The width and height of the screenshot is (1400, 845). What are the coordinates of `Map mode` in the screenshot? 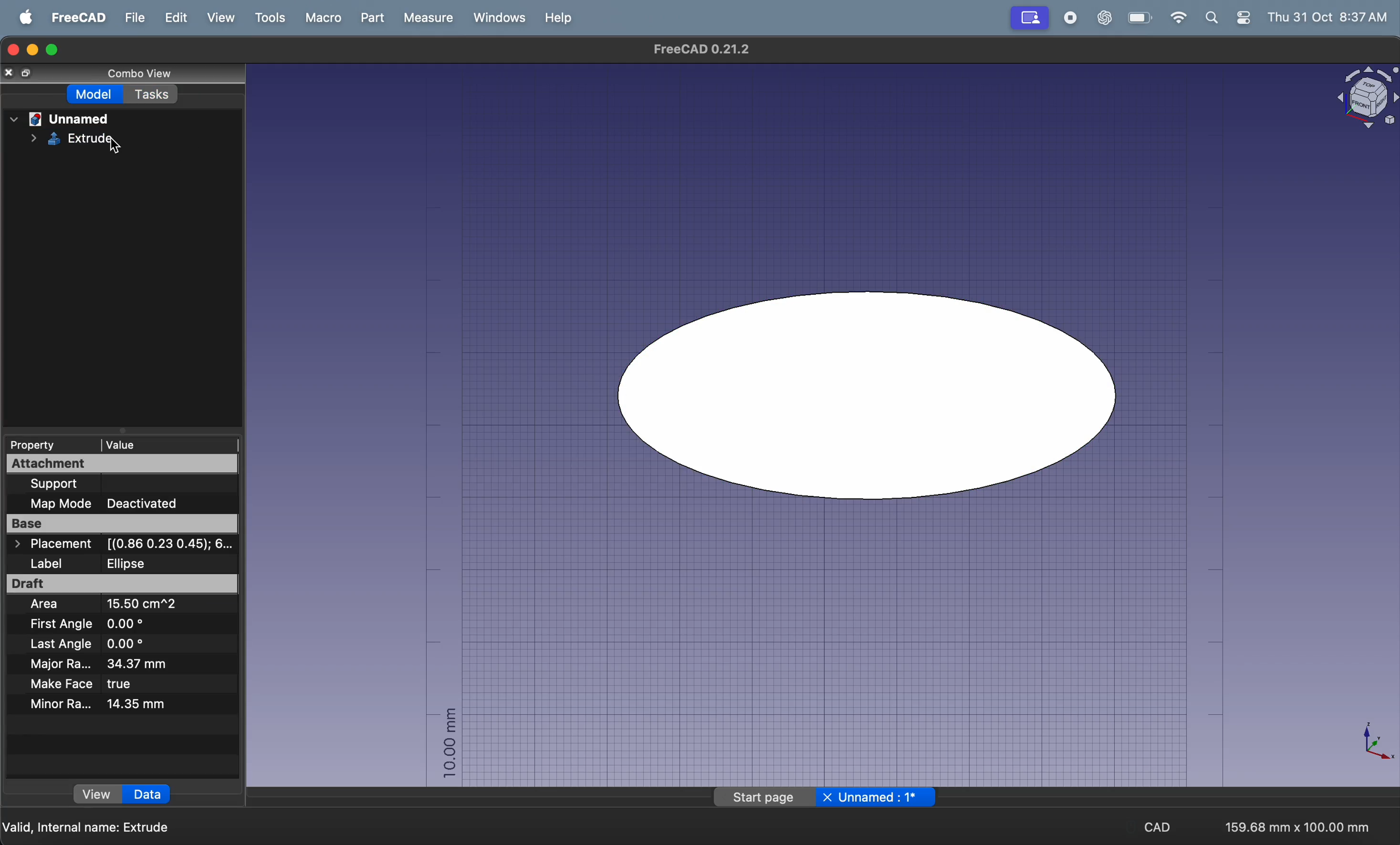 It's located at (56, 505).